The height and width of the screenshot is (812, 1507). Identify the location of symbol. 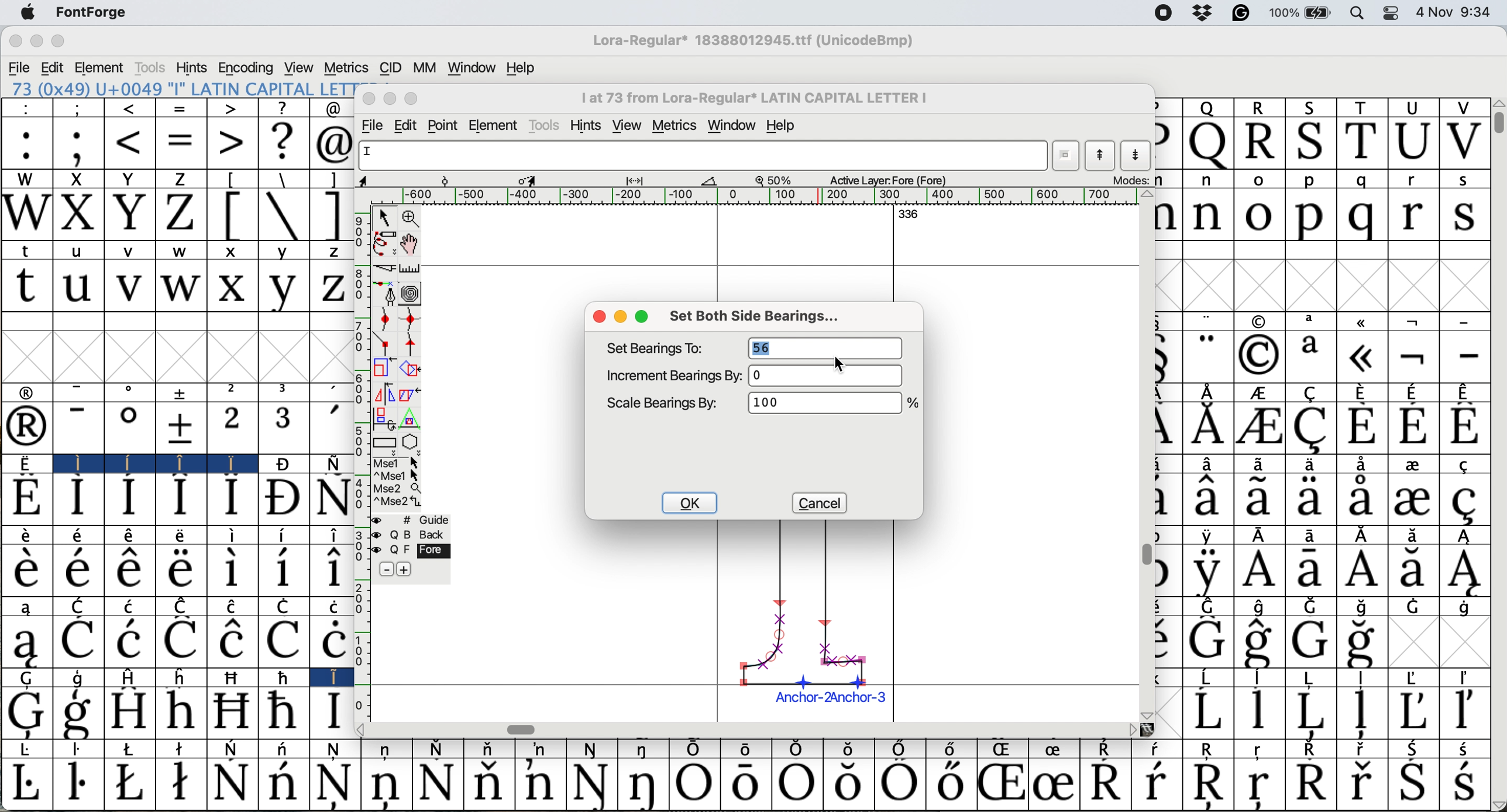
(1259, 321).